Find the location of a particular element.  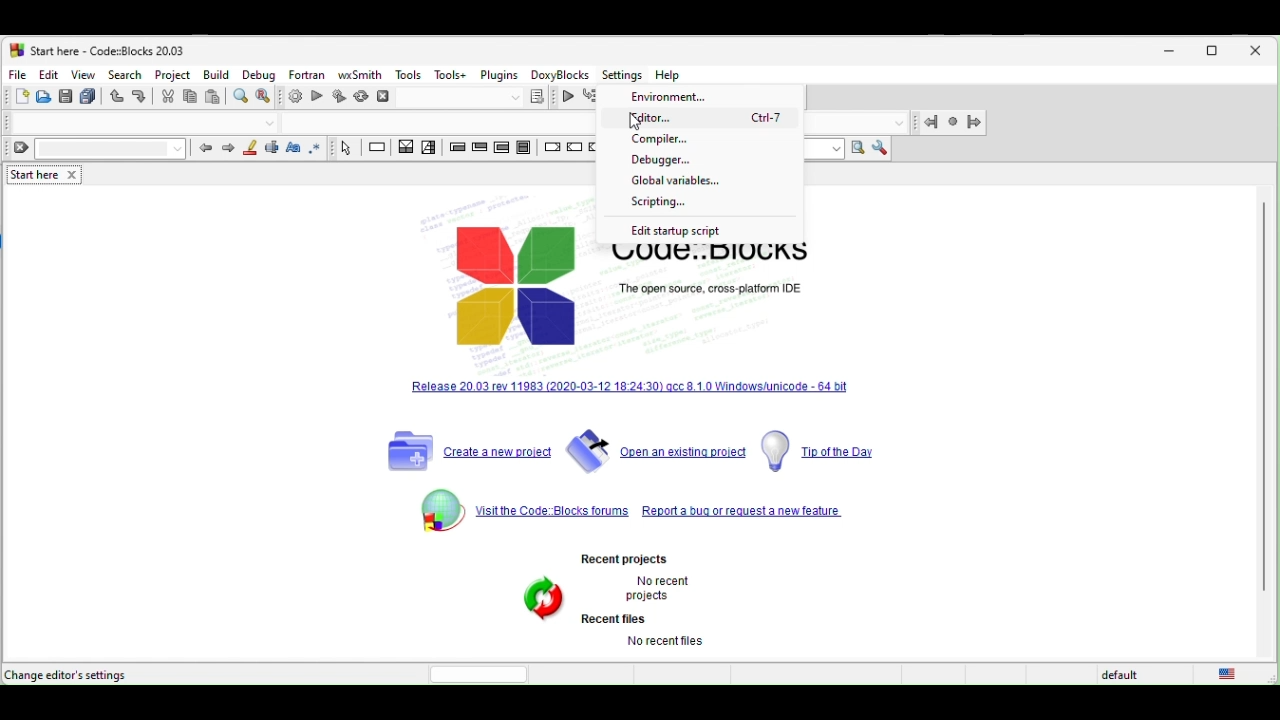

maximize is located at coordinates (1216, 53).